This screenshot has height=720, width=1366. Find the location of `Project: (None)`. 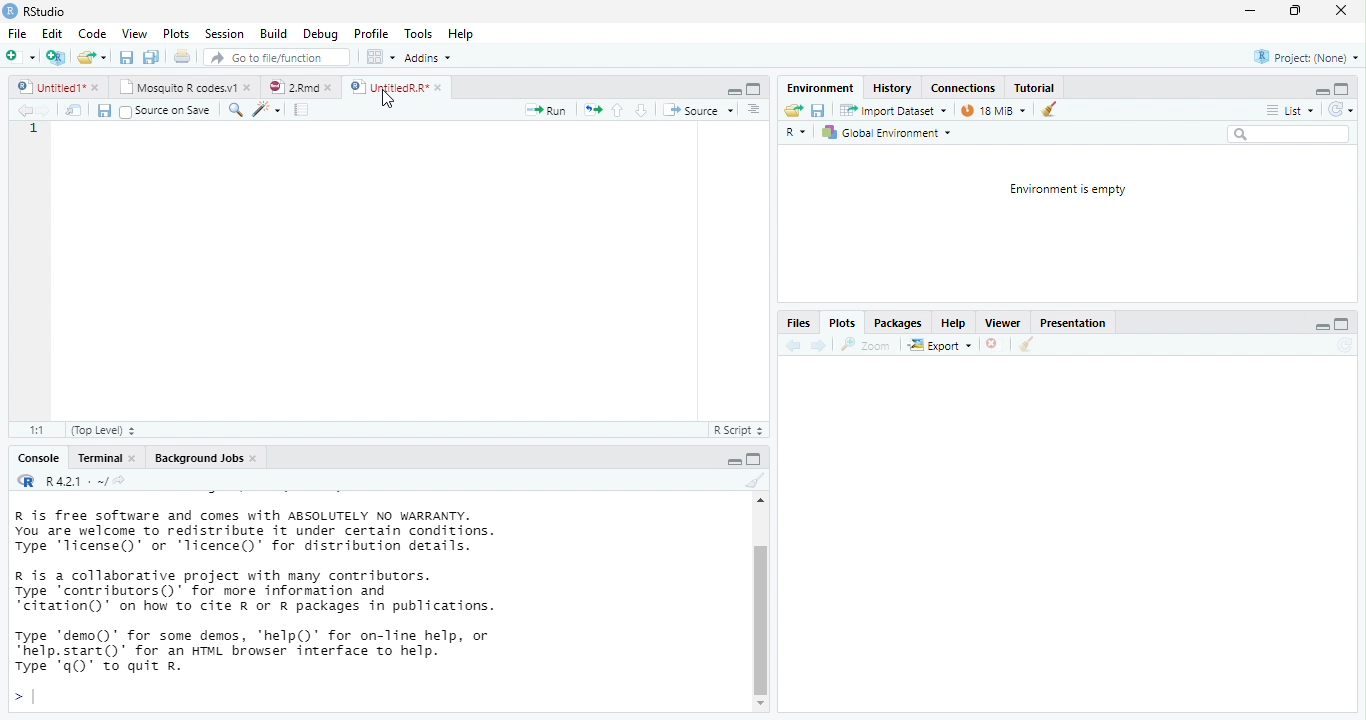

Project: (None) is located at coordinates (1307, 58).